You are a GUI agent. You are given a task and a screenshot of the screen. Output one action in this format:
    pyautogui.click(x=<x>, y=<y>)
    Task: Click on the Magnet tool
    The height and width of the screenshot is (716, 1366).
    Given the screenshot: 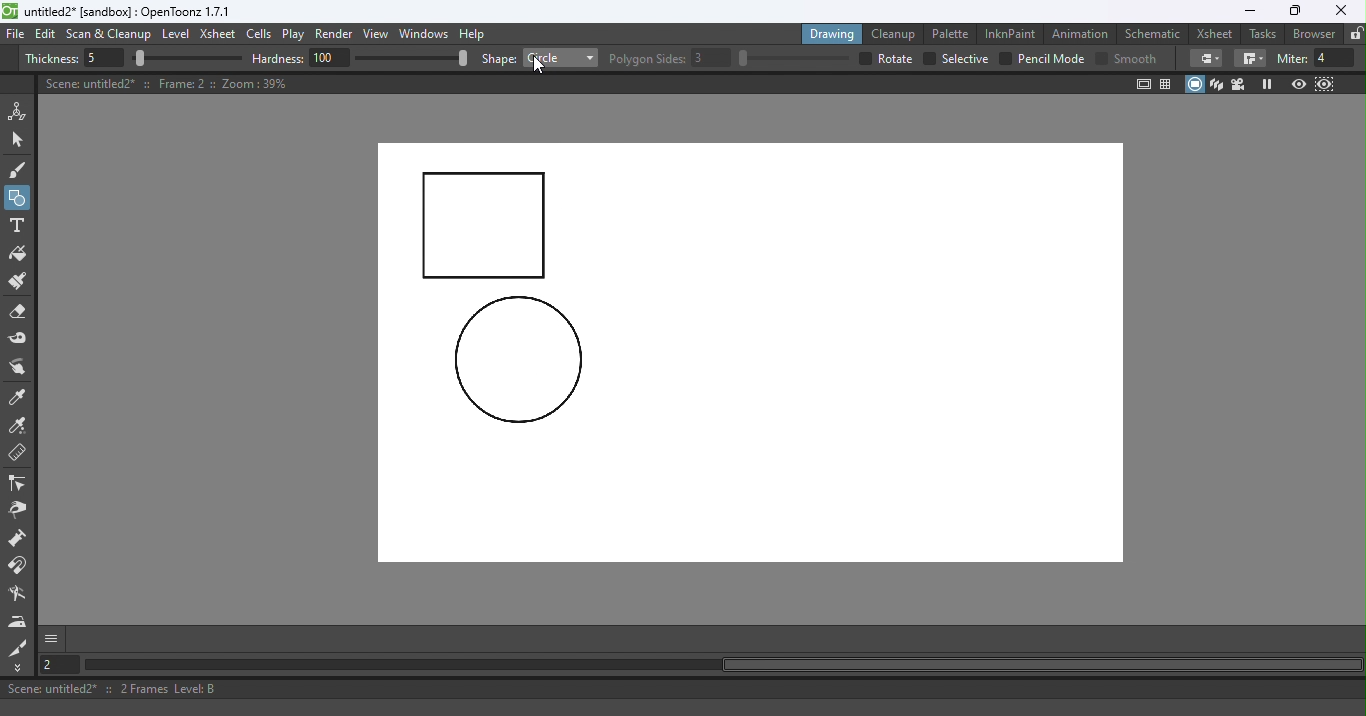 What is the action you would take?
    pyautogui.click(x=19, y=566)
    